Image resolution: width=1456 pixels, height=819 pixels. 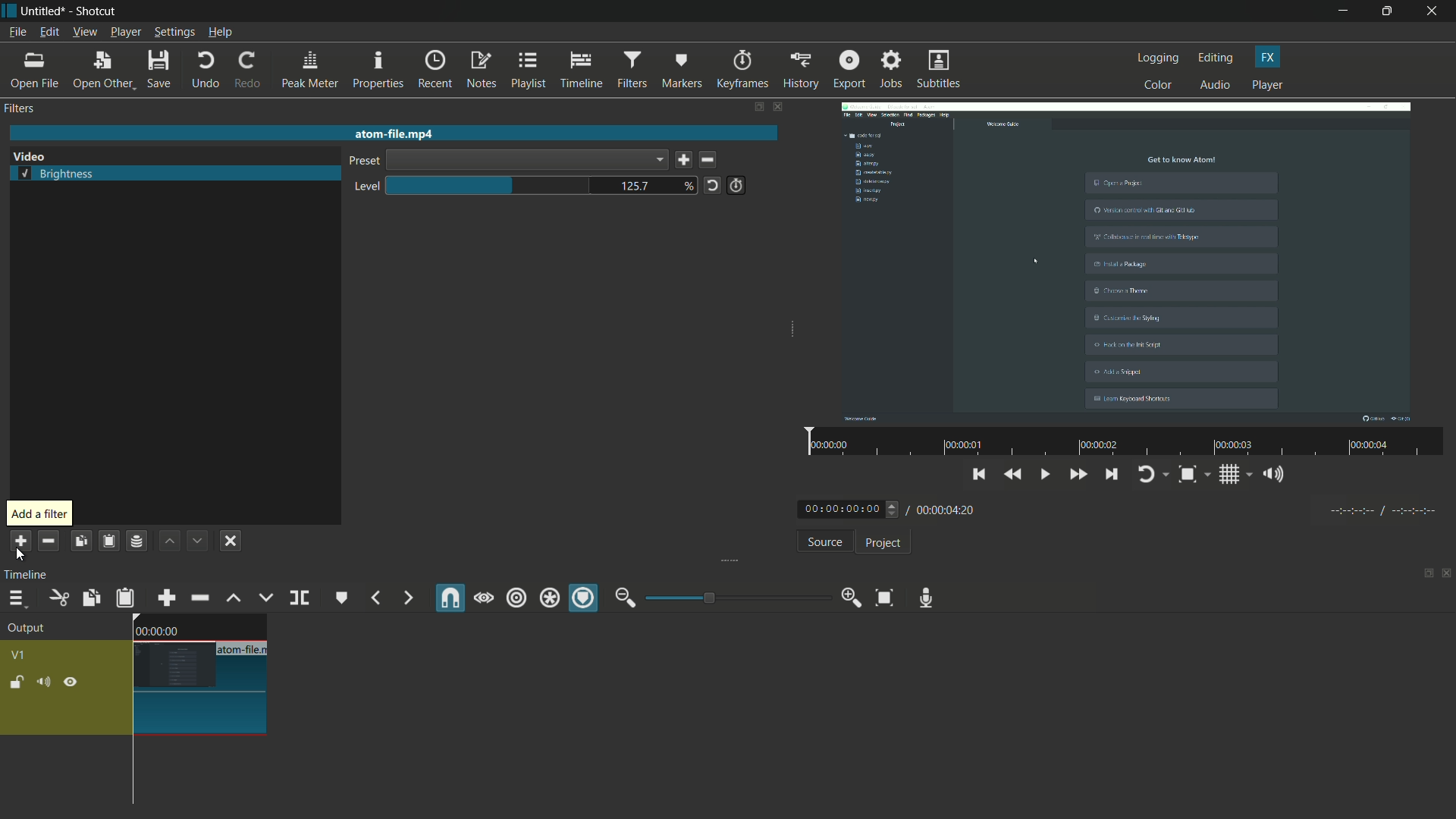 I want to click on toggle play/pause, so click(x=1047, y=475).